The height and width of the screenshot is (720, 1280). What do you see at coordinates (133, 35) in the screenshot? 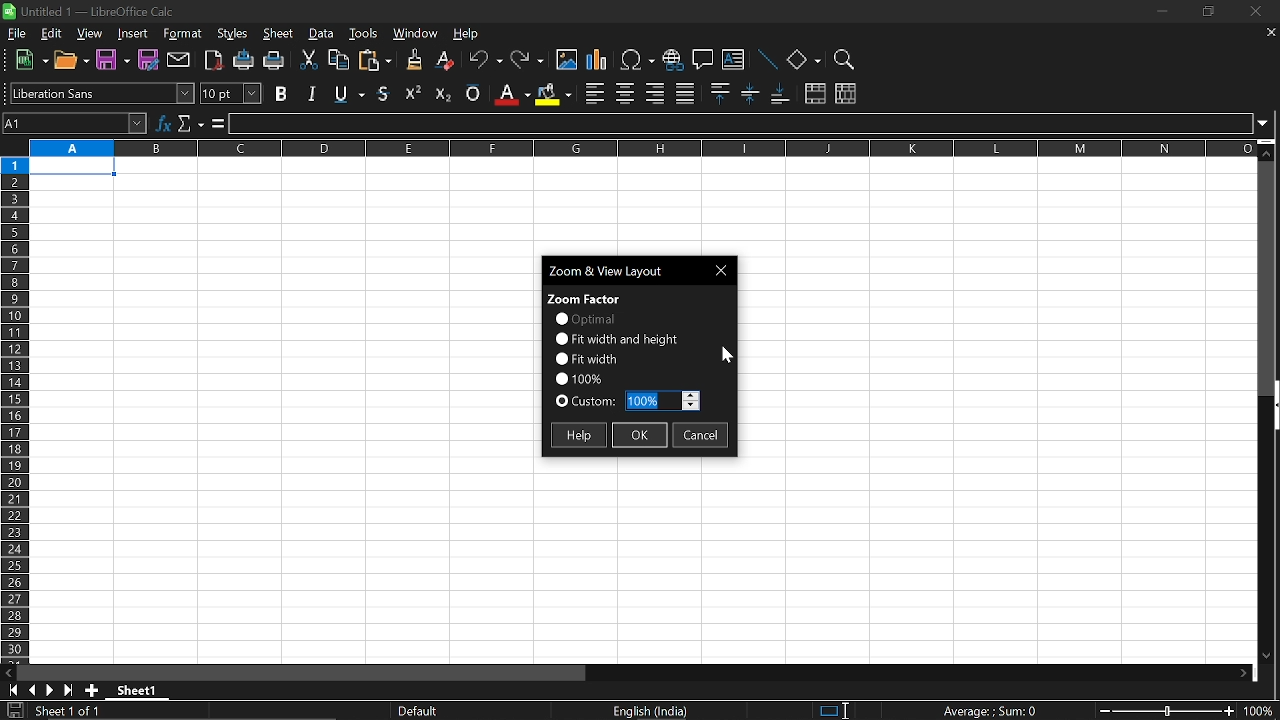
I see `Insert` at bounding box center [133, 35].